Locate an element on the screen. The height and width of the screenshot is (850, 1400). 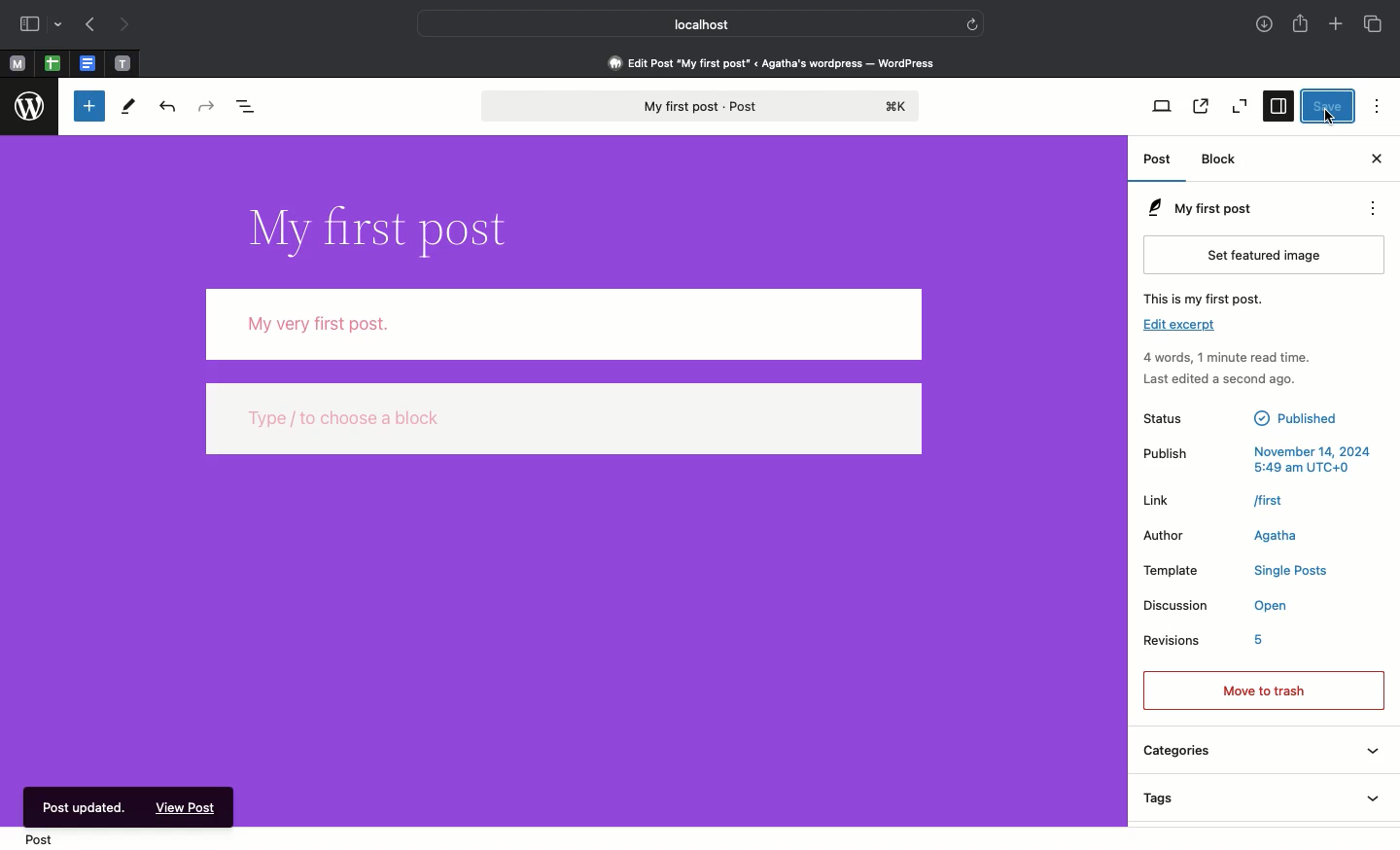
Redo is located at coordinates (206, 106).